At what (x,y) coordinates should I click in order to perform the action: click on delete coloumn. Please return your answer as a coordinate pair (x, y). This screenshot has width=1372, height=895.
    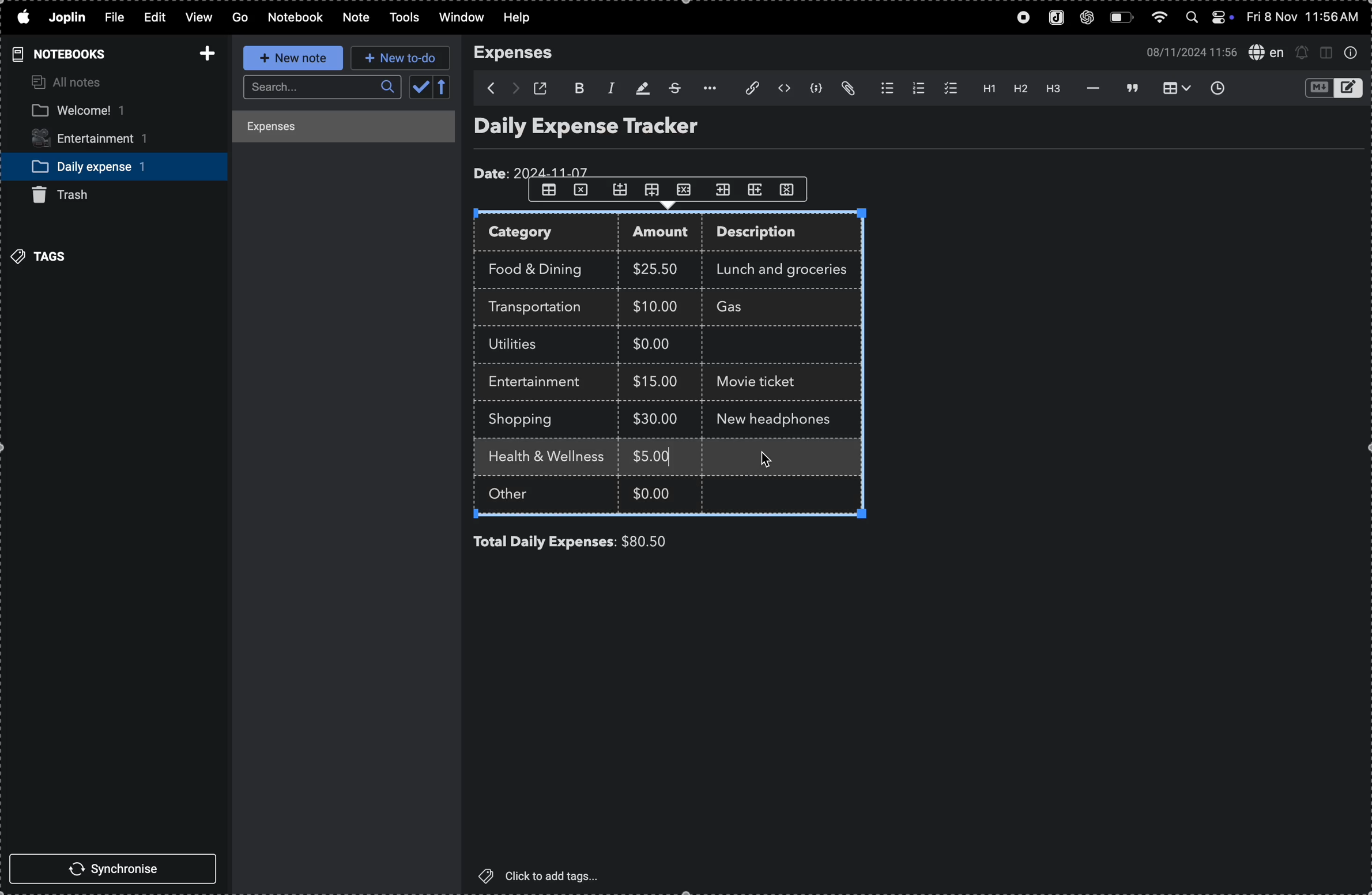
    Looking at the image, I should click on (793, 189).